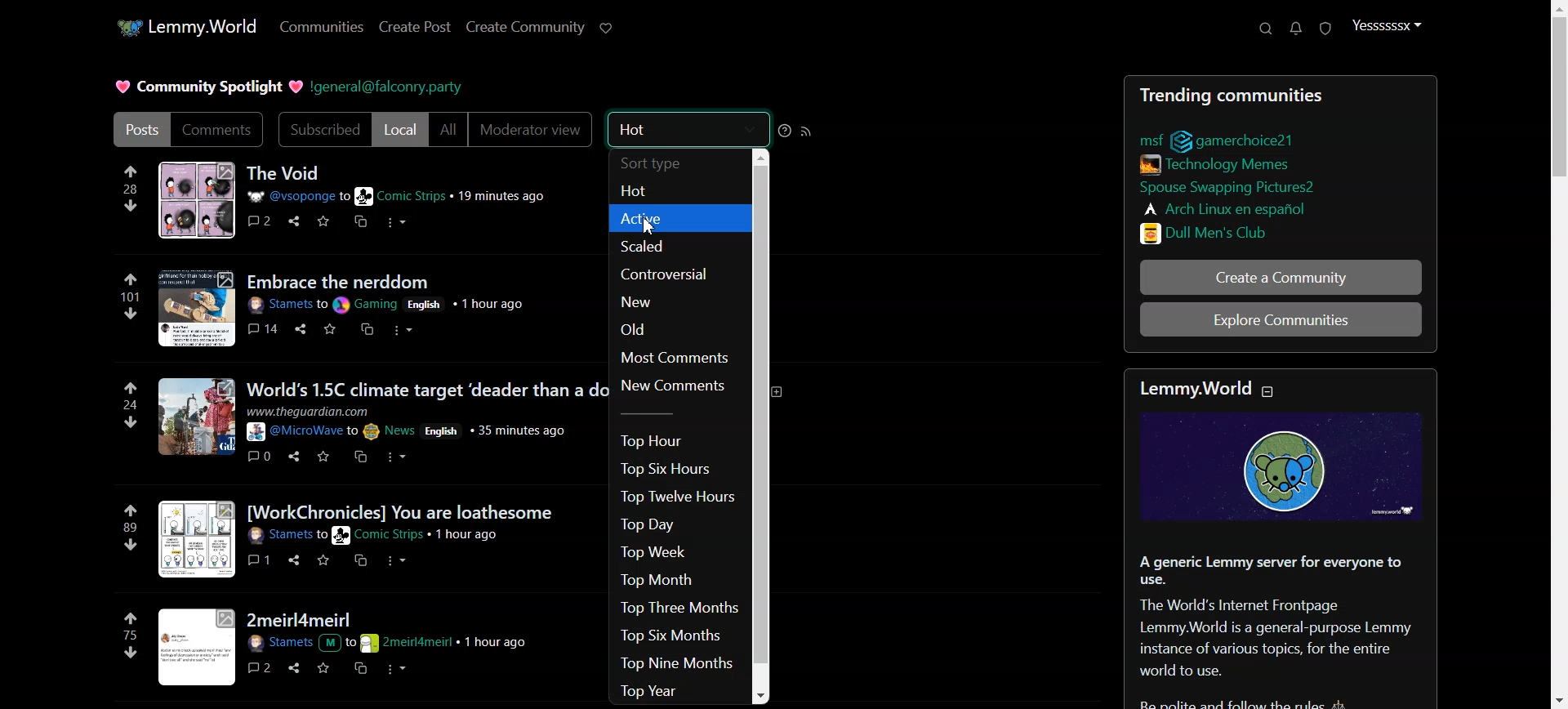 This screenshot has width=1568, height=709. What do you see at coordinates (260, 455) in the screenshot?
I see `` at bounding box center [260, 455].